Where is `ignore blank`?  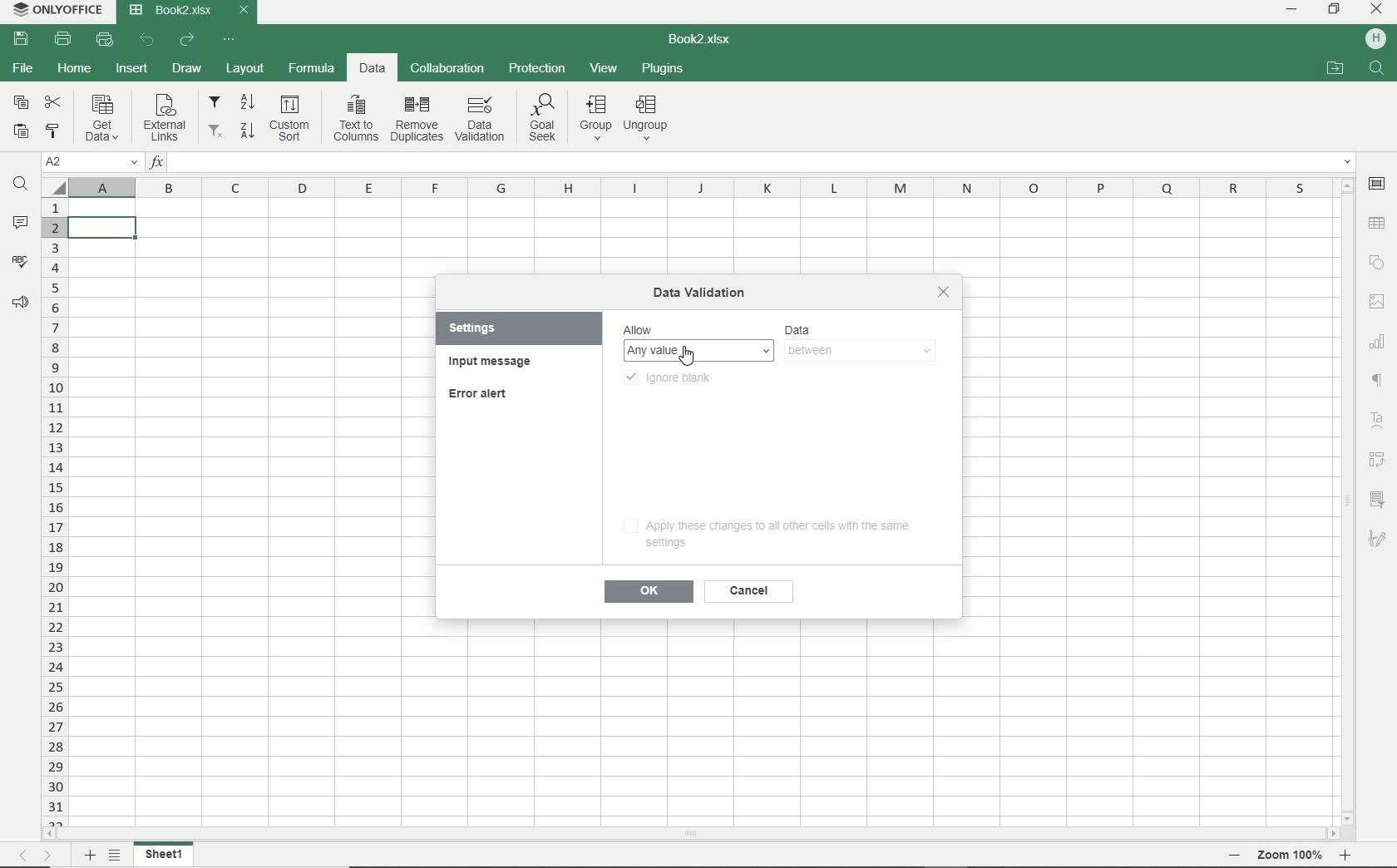
ignore blank is located at coordinates (674, 379).